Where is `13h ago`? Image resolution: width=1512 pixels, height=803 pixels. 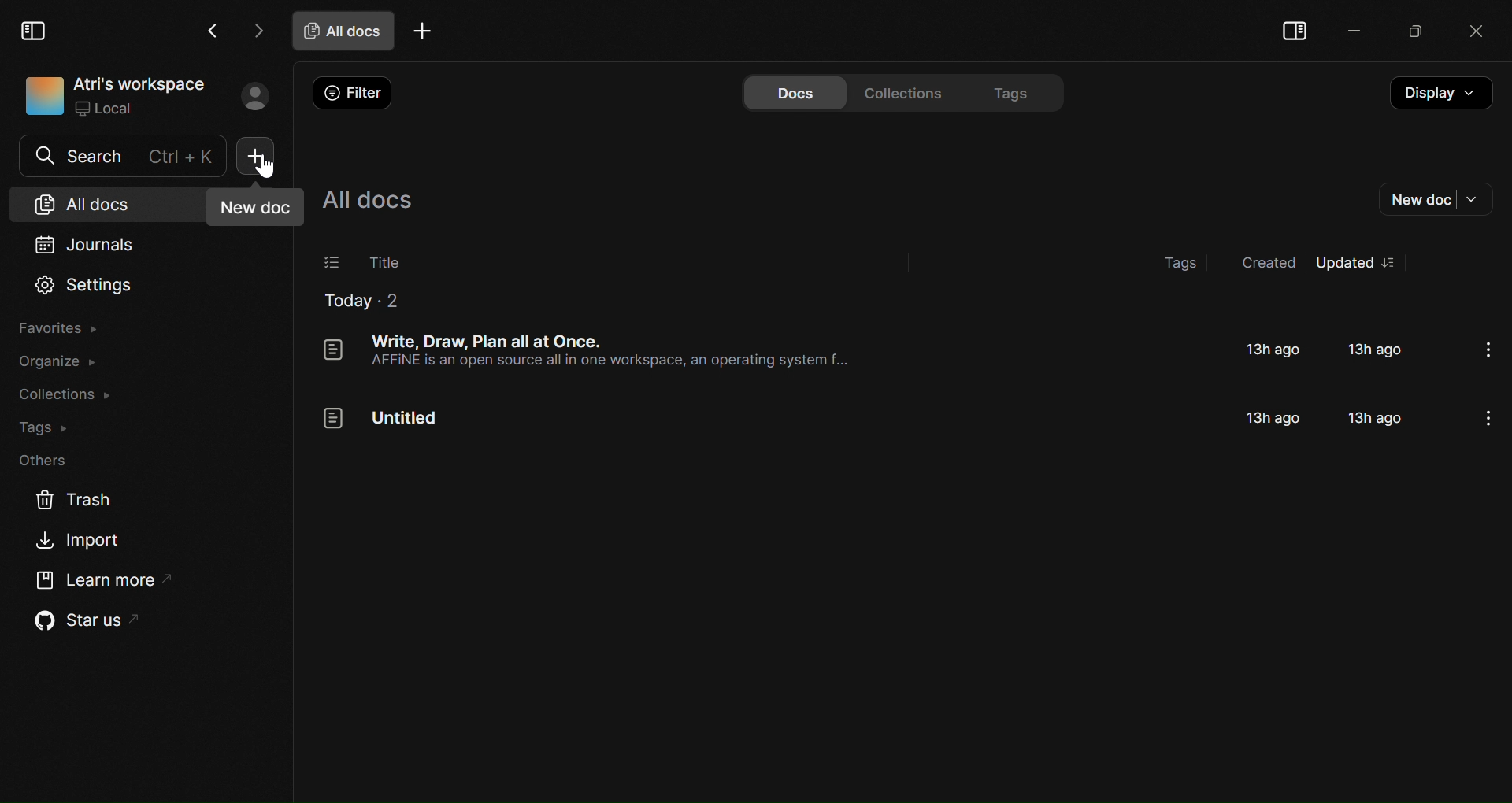 13h ago is located at coordinates (1273, 350).